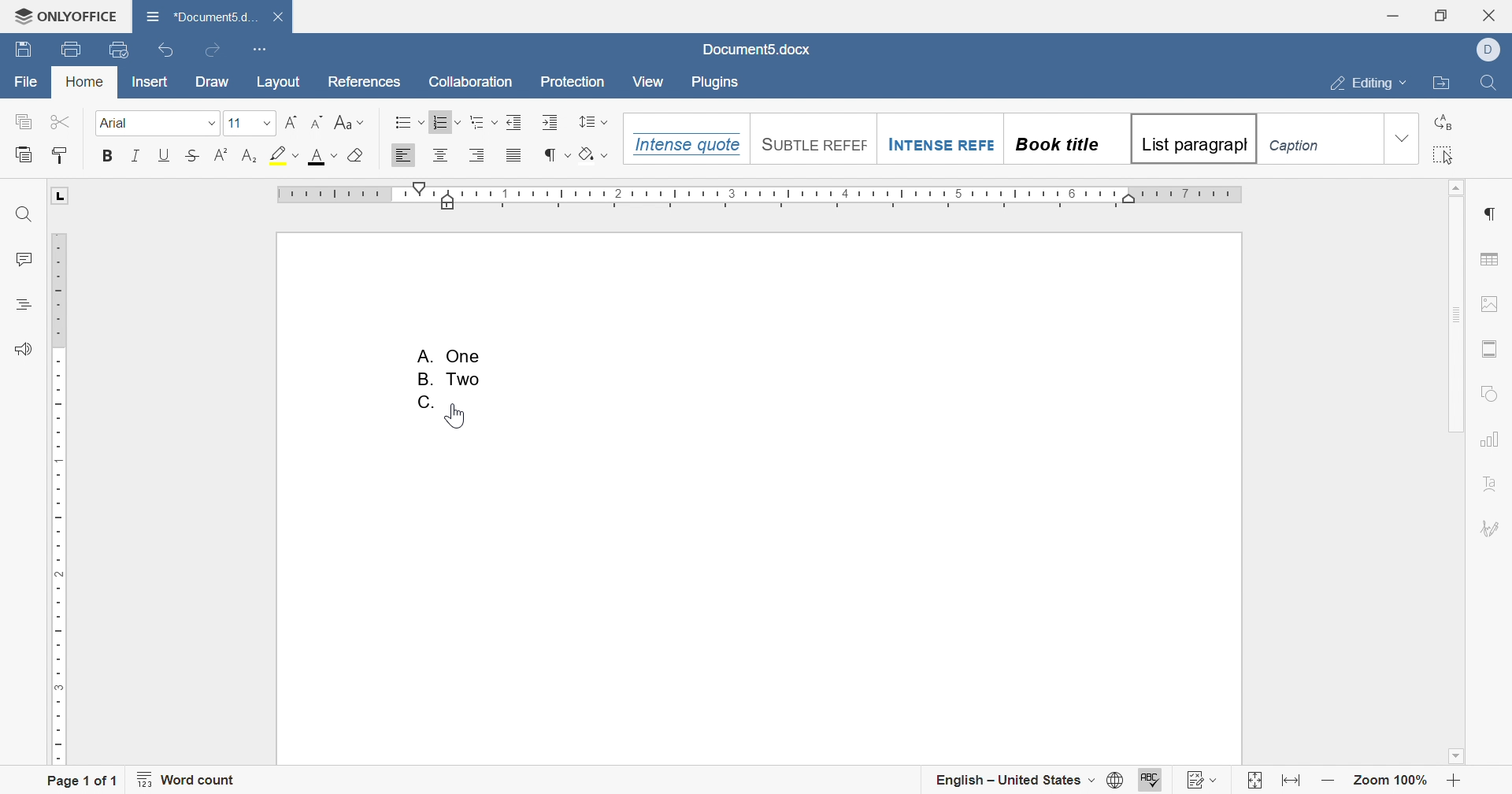  Describe the element at coordinates (447, 121) in the screenshot. I see `Numbering` at that location.